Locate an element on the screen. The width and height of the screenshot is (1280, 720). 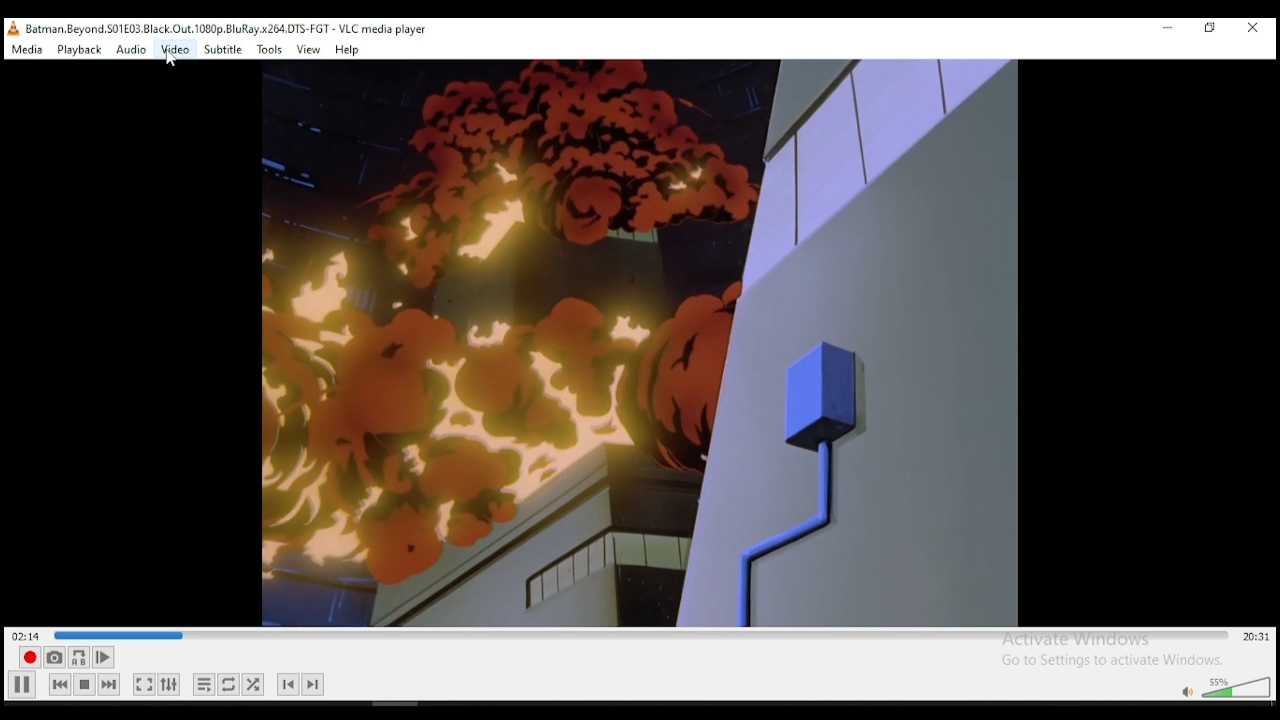
help is located at coordinates (347, 50).